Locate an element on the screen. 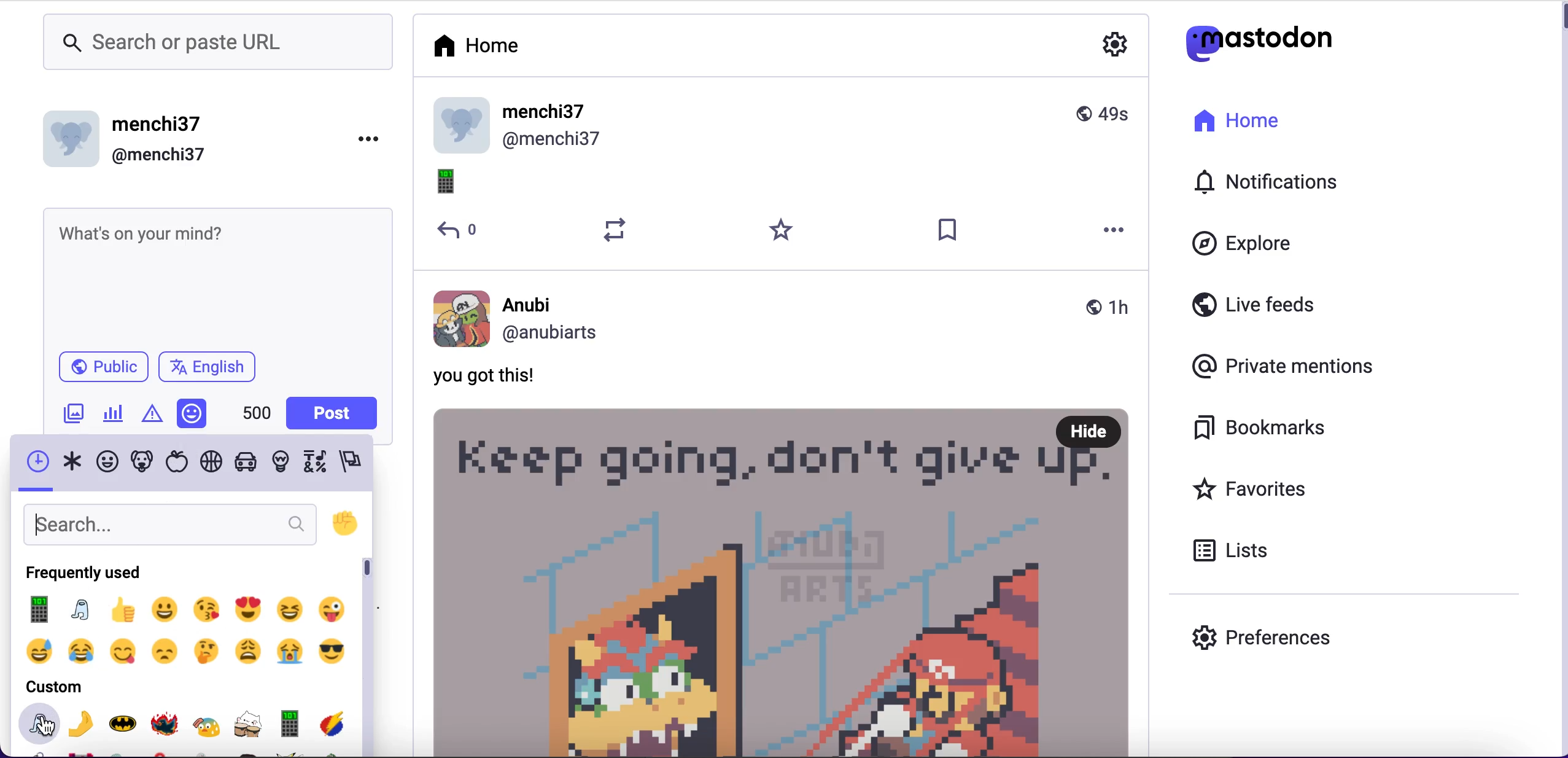 This screenshot has width=1568, height=758. favorites is located at coordinates (1244, 488).